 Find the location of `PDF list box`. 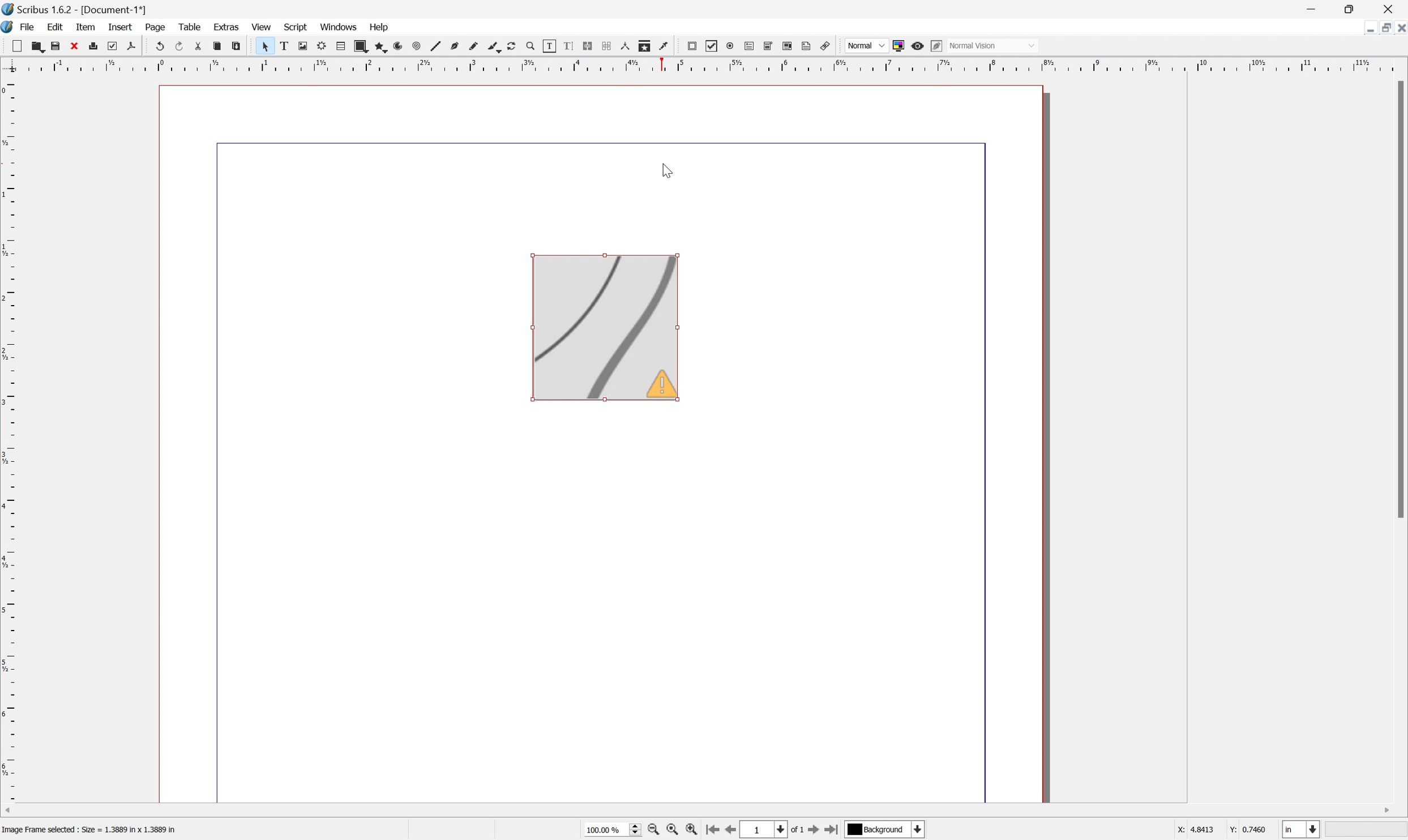

PDF list box is located at coordinates (790, 46).